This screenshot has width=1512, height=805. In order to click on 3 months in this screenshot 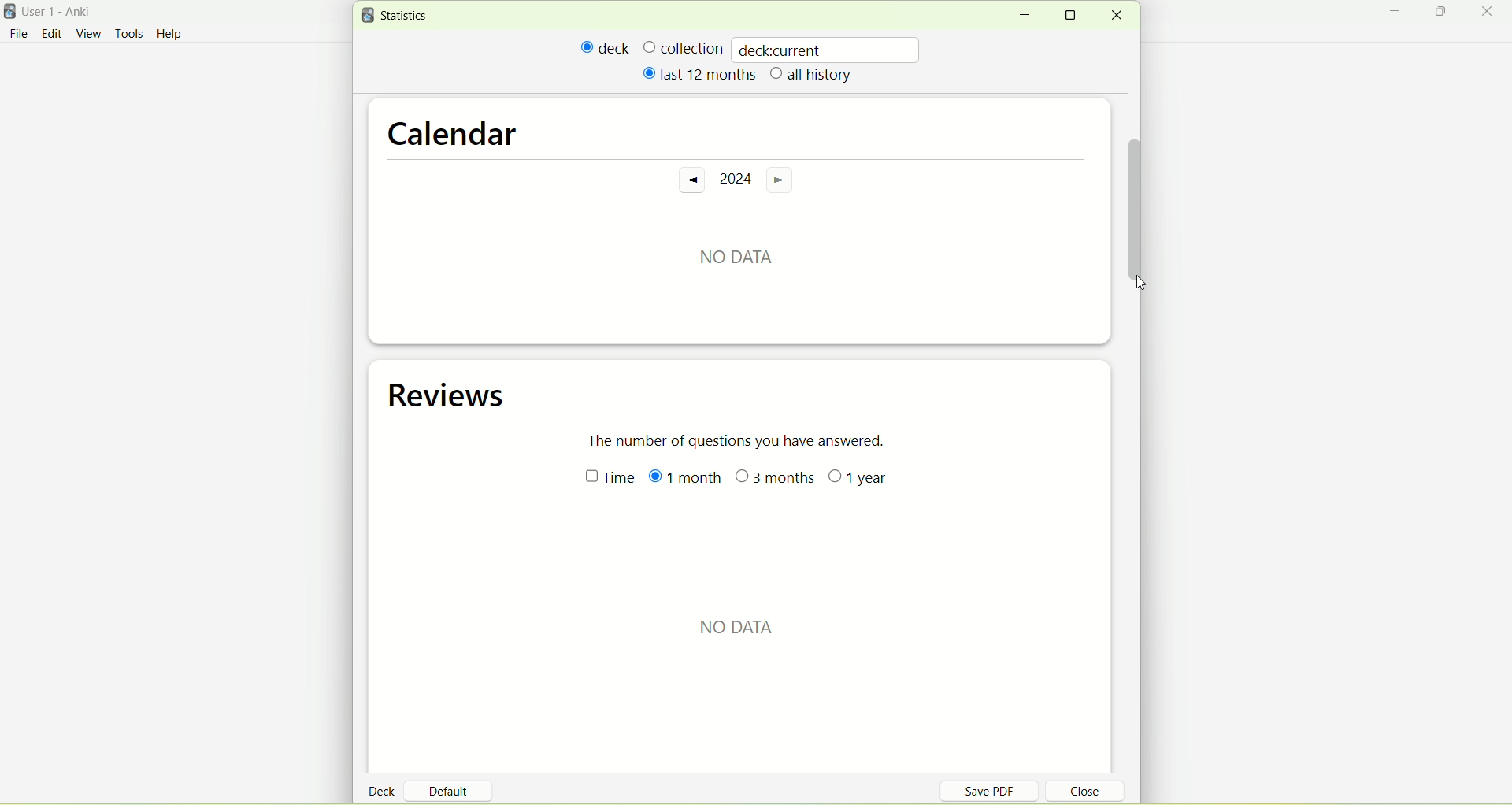, I will do `click(776, 480)`.